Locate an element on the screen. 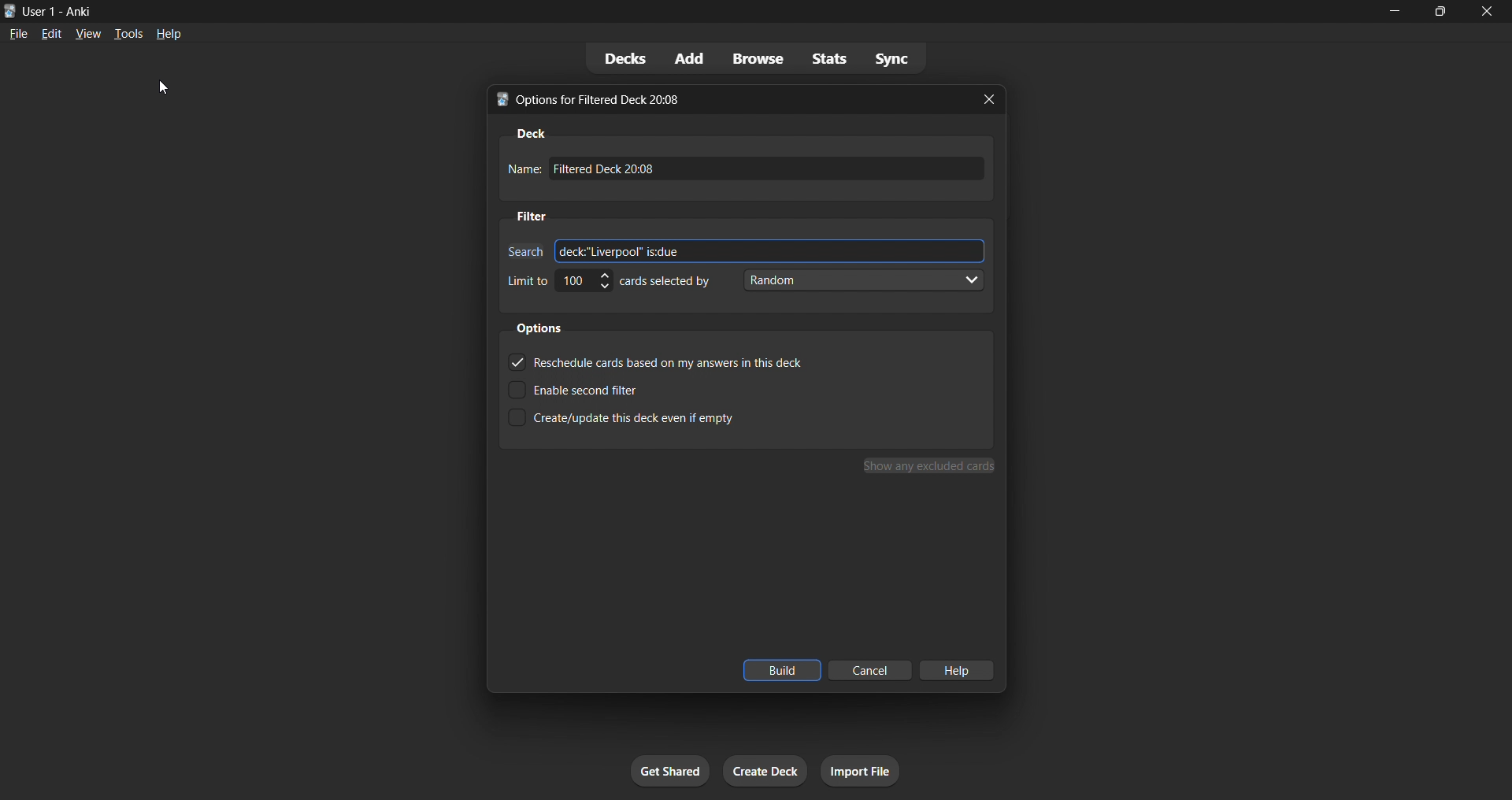  Anki is located at coordinates (9, 11).